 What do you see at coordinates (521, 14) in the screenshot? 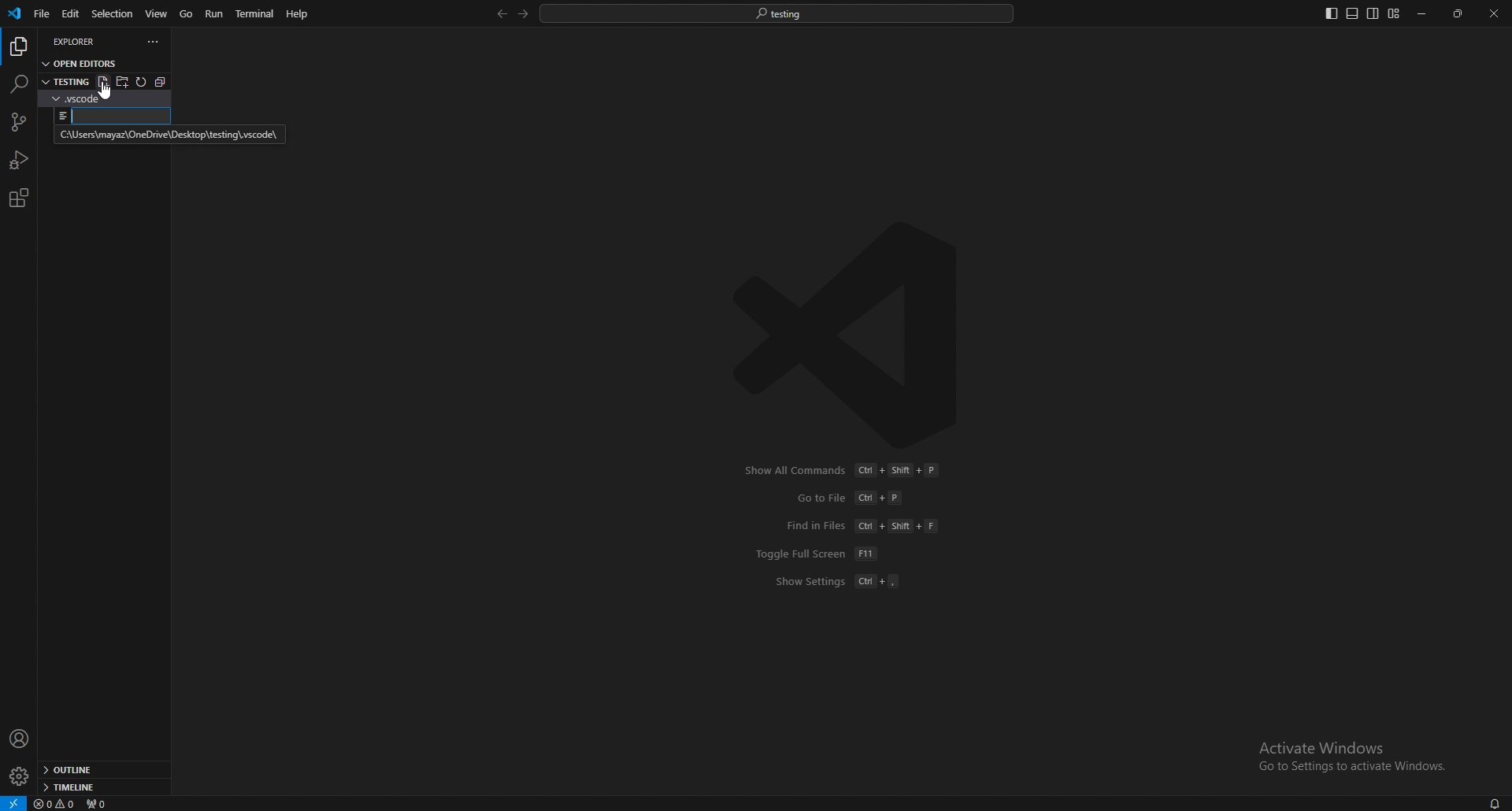
I see `forward` at bounding box center [521, 14].